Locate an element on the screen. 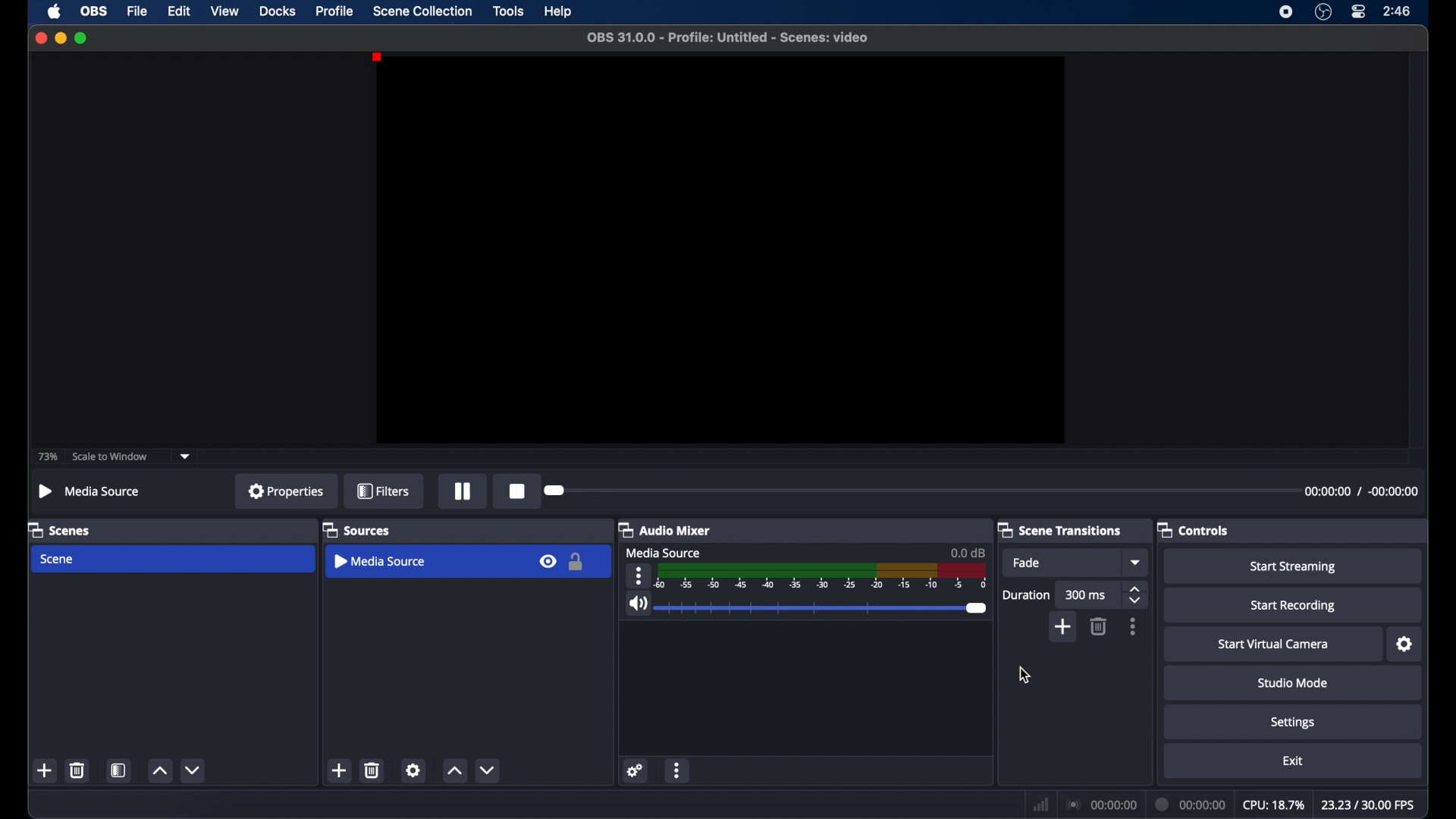 The width and height of the screenshot is (1456, 819). connection is located at coordinates (1101, 803).